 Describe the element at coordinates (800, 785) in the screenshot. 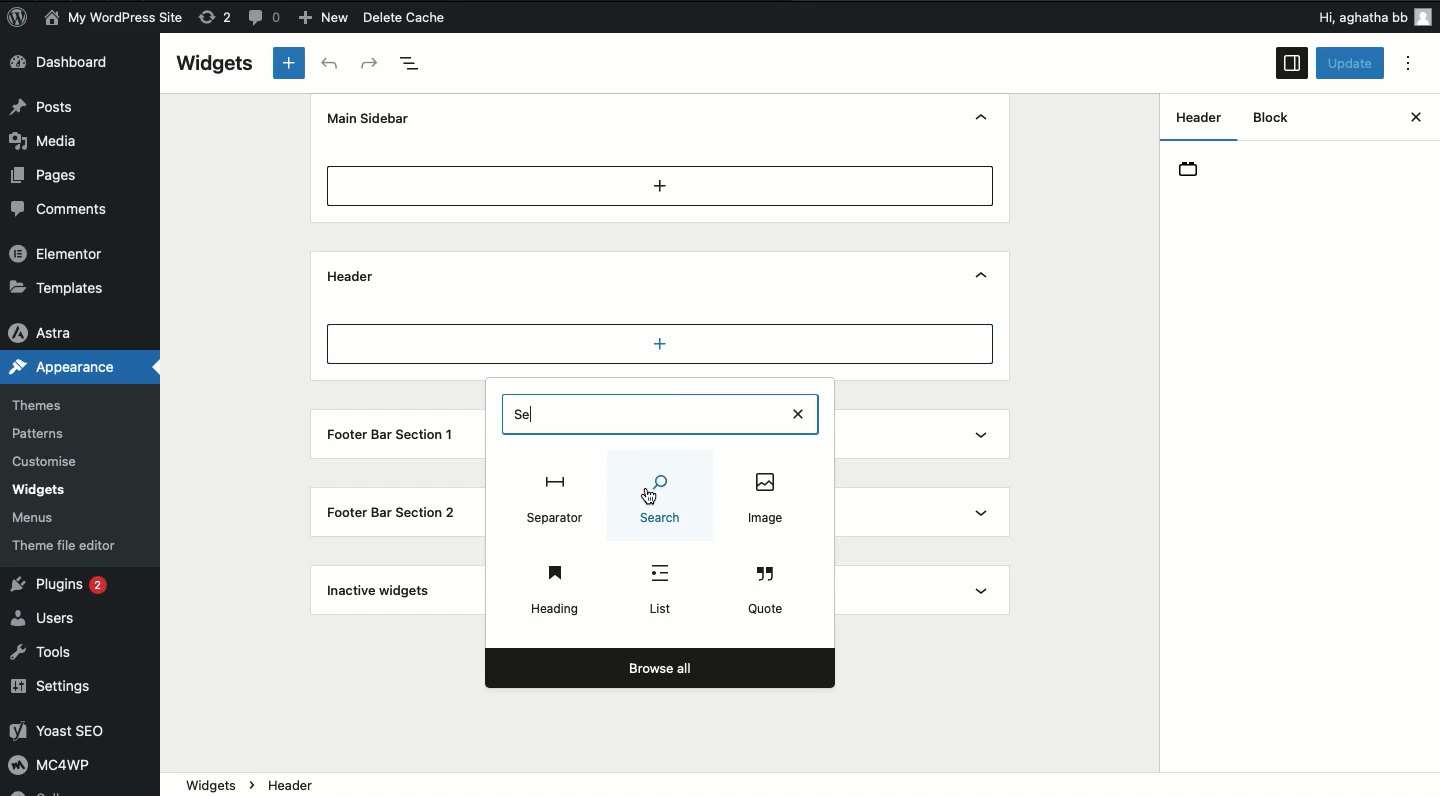

I see `widgets` at that location.